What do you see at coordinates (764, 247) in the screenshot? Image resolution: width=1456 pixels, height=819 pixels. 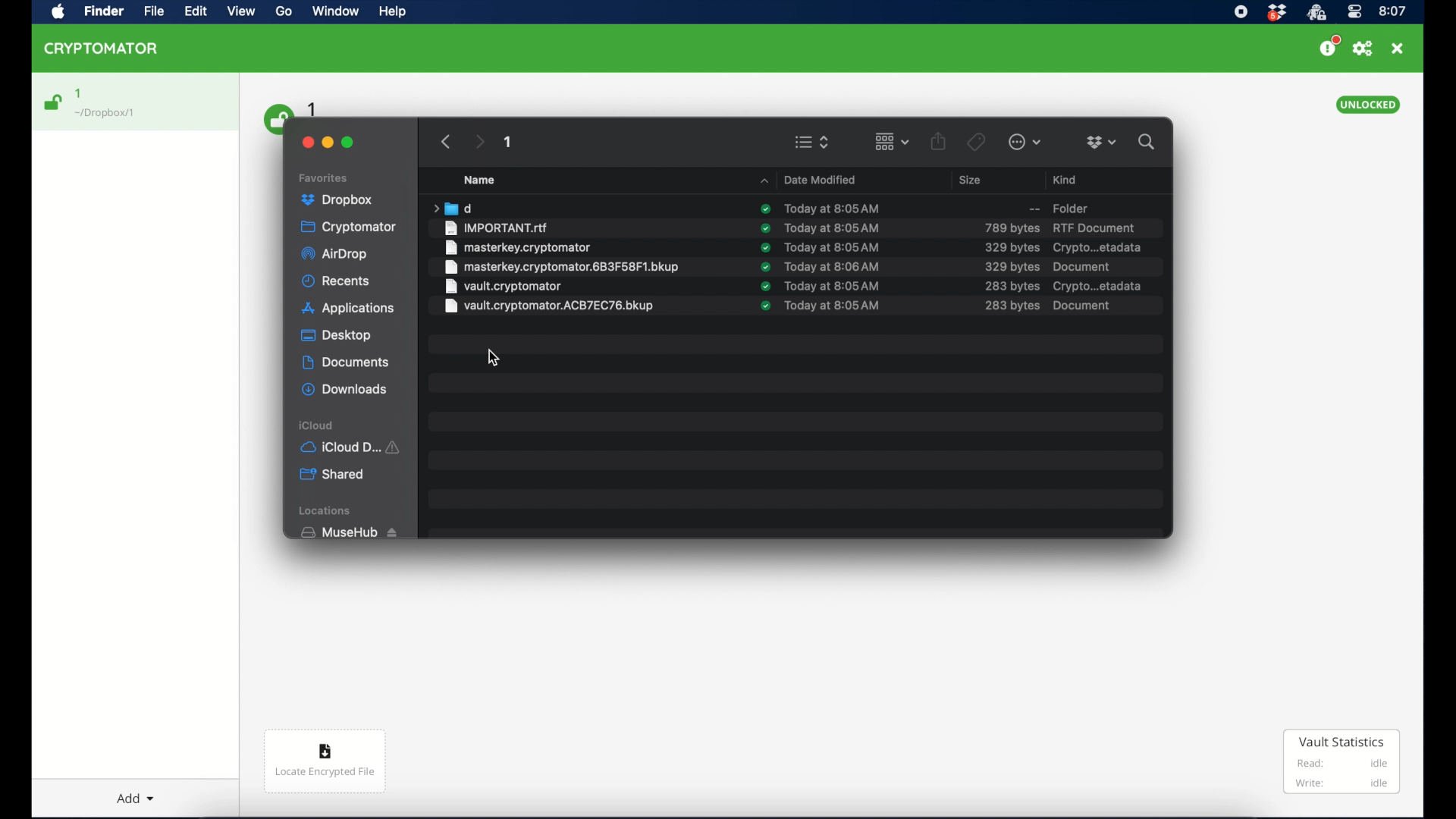 I see `sync` at bounding box center [764, 247].